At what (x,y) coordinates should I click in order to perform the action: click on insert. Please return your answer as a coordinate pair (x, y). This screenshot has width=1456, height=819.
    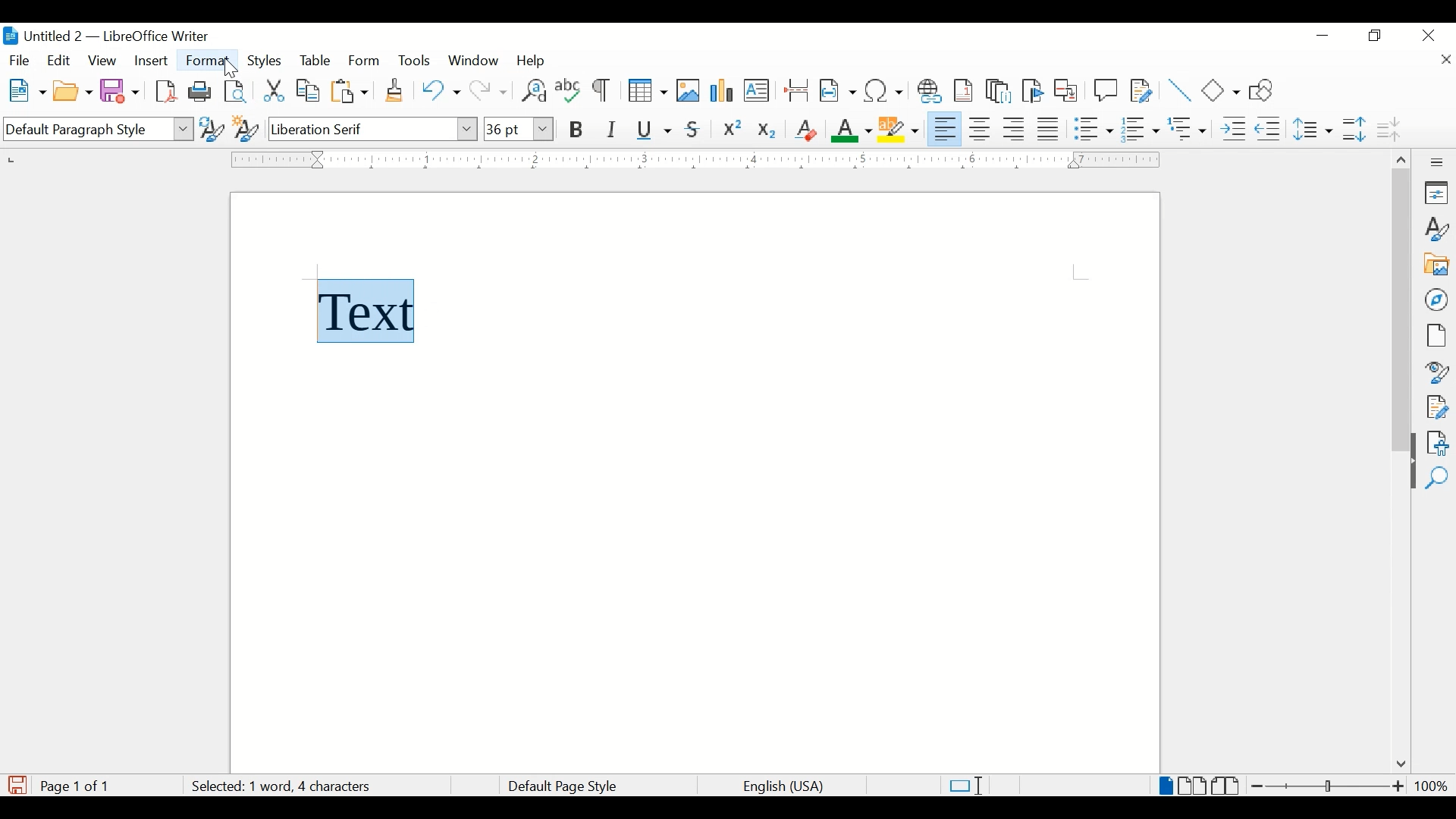
    Looking at the image, I should click on (150, 61).